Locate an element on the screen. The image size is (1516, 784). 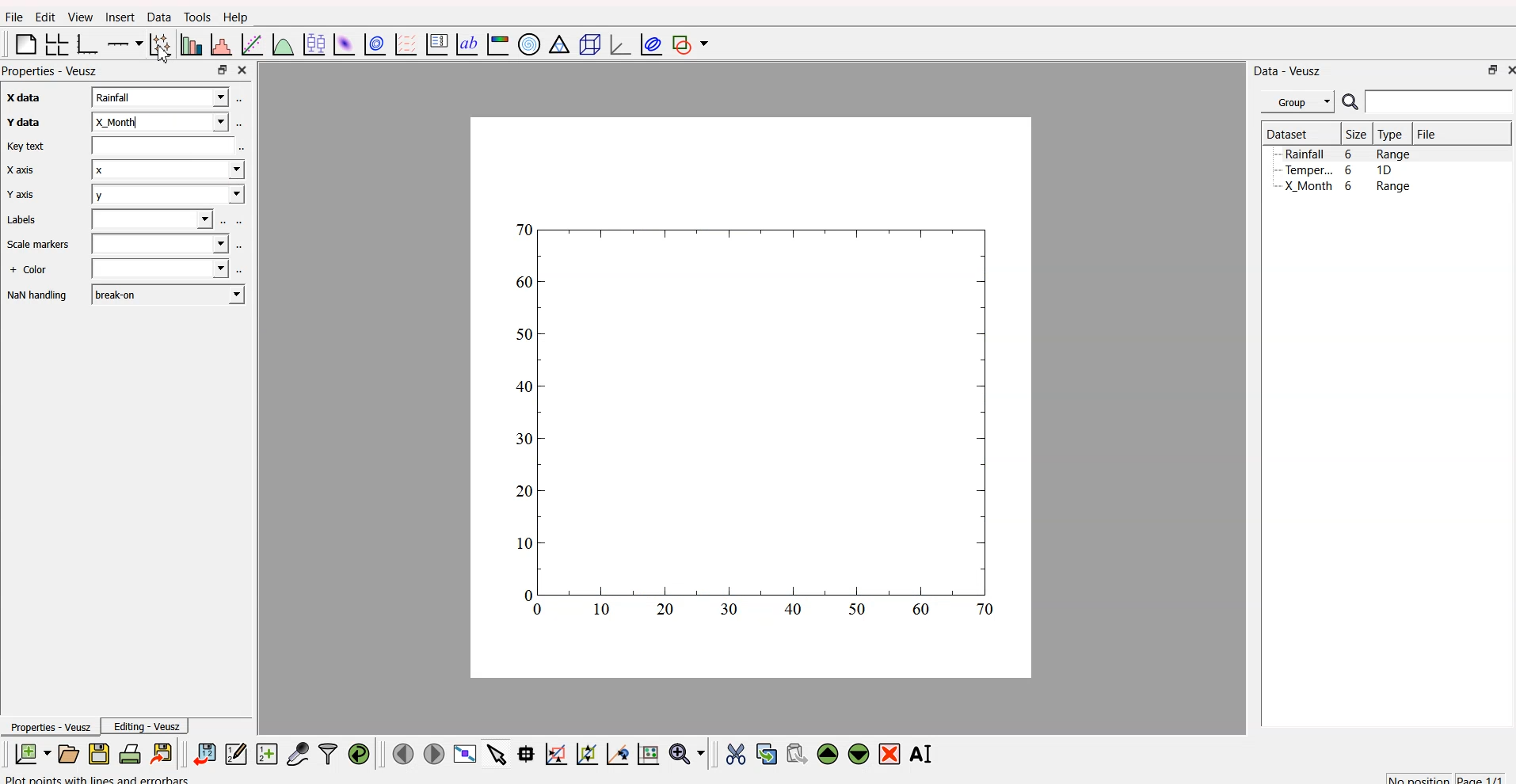
field is located at coordinates (158, 270).